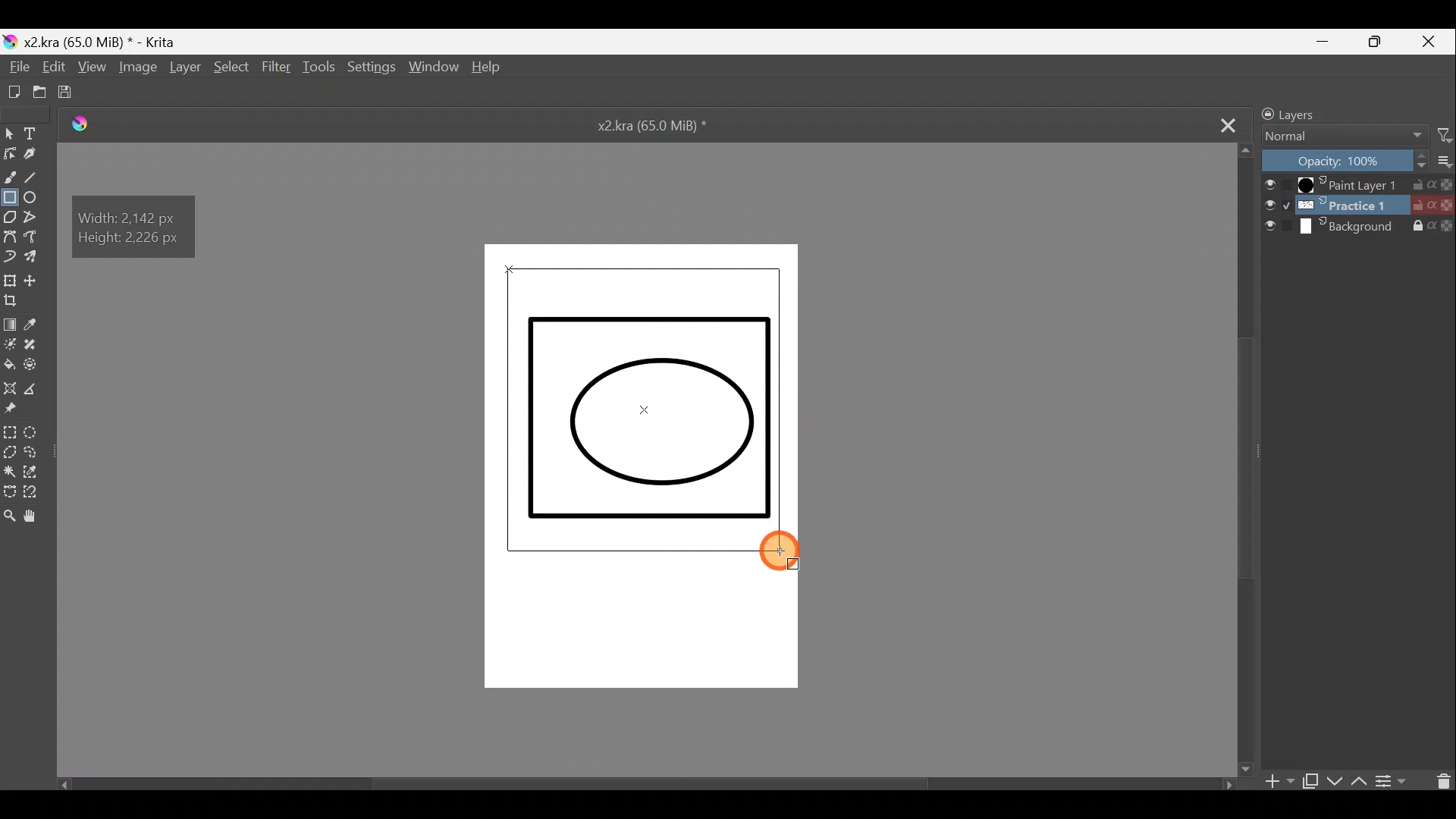  What do you see at coordinates (1261, 111) in the screenshot?
I see `Lock/unlock docker` at bounding box center [1261, 111].